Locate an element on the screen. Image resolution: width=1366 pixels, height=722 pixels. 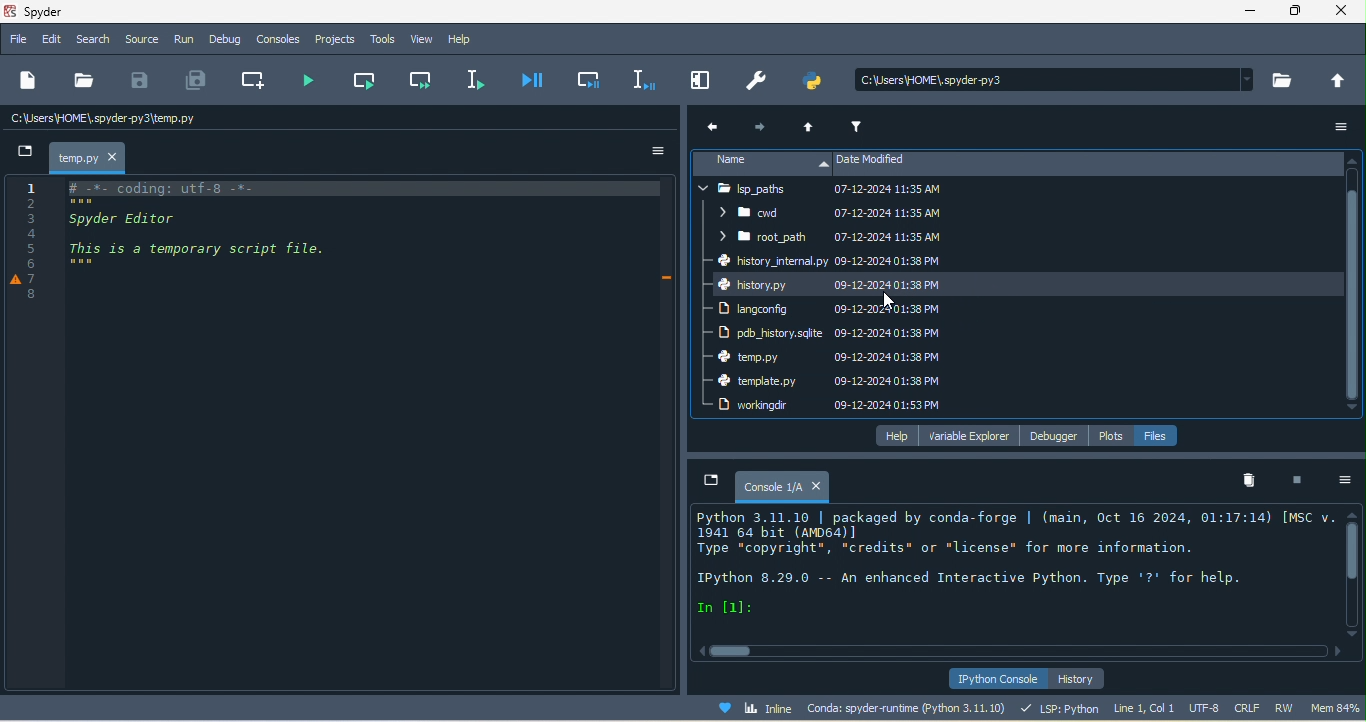
help is located at coordinates (464, 39).